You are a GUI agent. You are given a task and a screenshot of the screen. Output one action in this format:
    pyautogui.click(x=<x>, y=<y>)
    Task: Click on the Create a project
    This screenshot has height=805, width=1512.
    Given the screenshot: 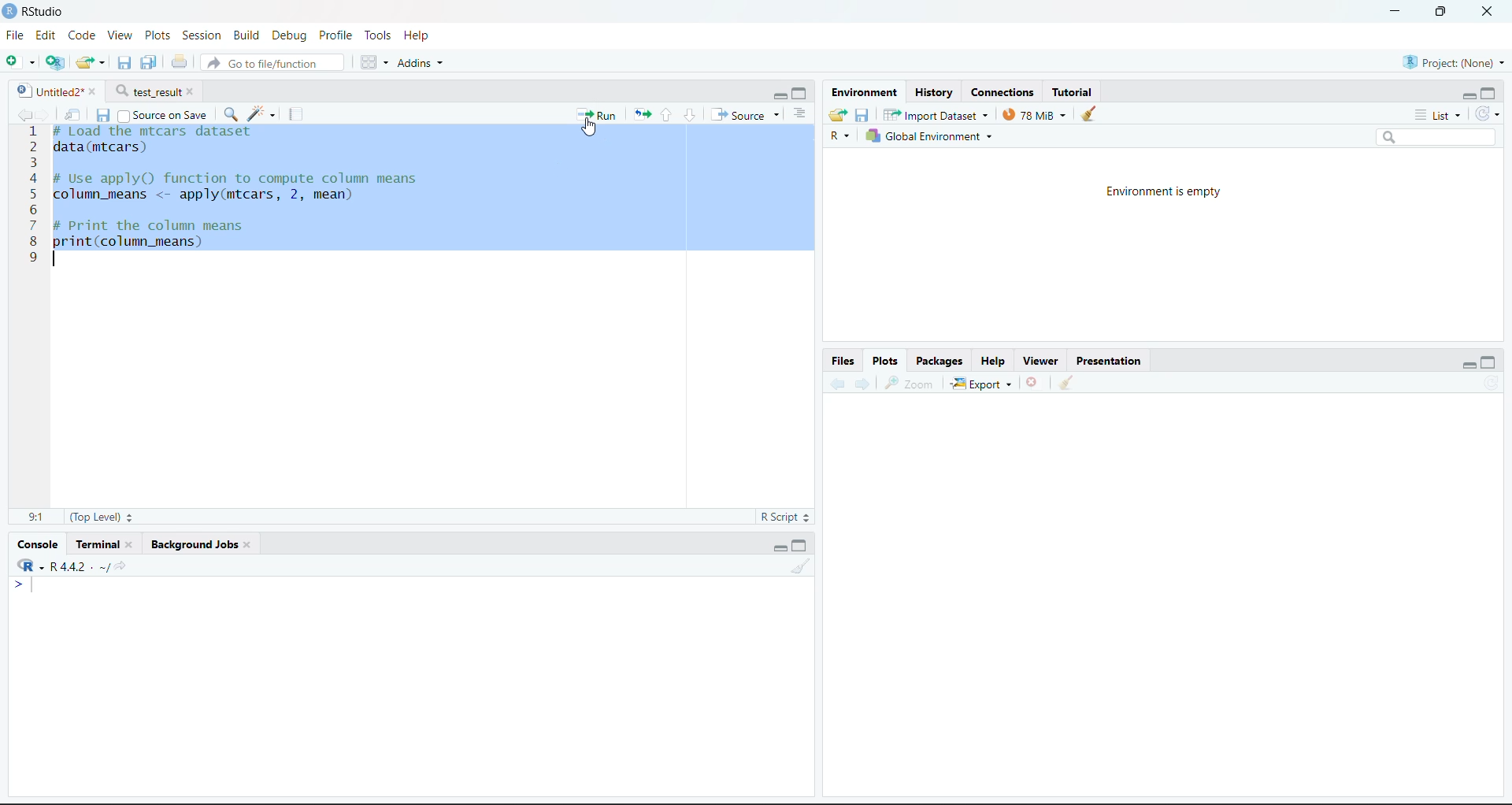 What is the action you would take?
    pyautogui.click(x=54, y=62)
    